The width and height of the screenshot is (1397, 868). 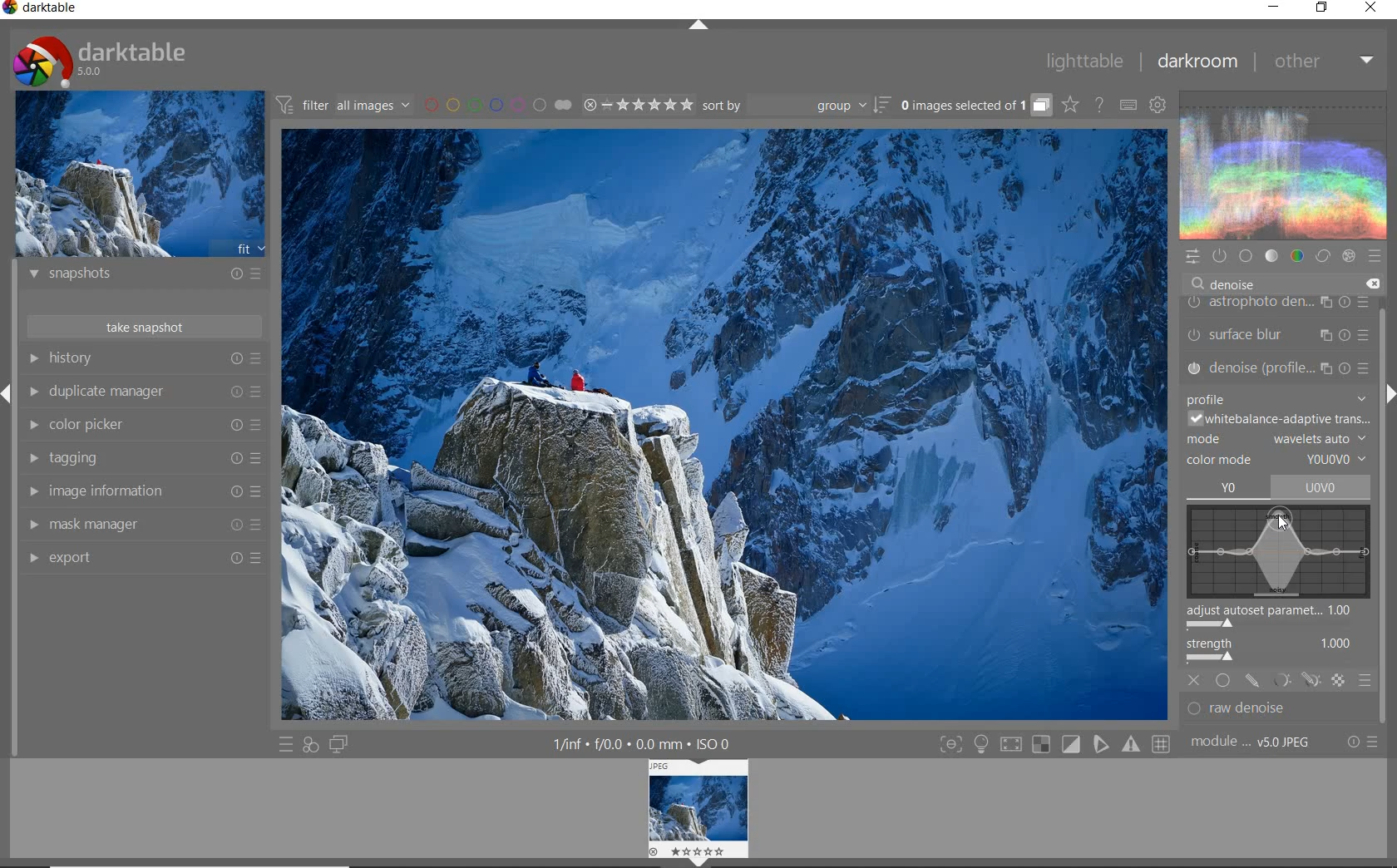 What do you see at coordinates (1101, 106) in the screenshot?
I see `enable online help` at bounding box center [1101, 106].